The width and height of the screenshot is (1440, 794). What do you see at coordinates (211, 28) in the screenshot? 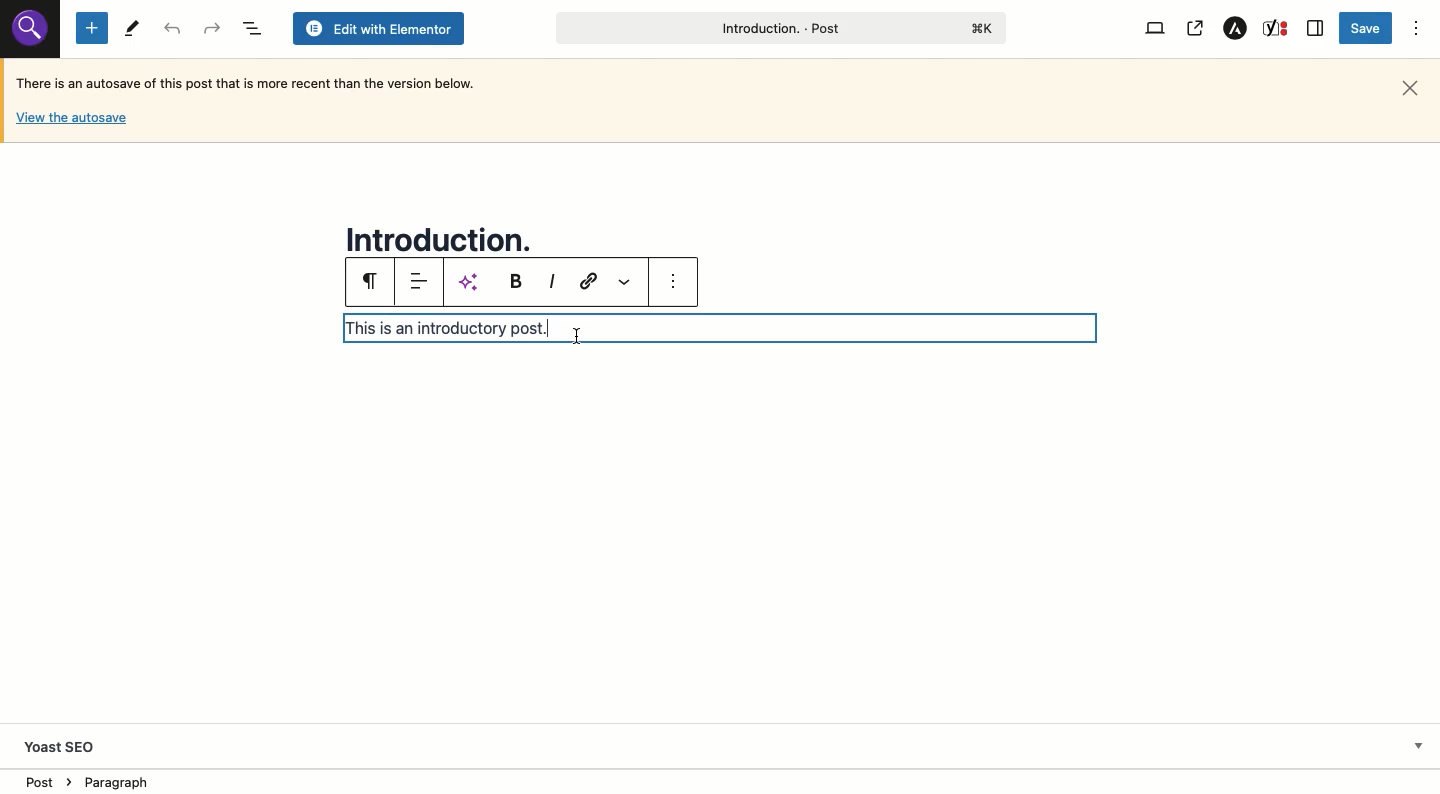
I see `Undo` at bounding box center [211, 28].